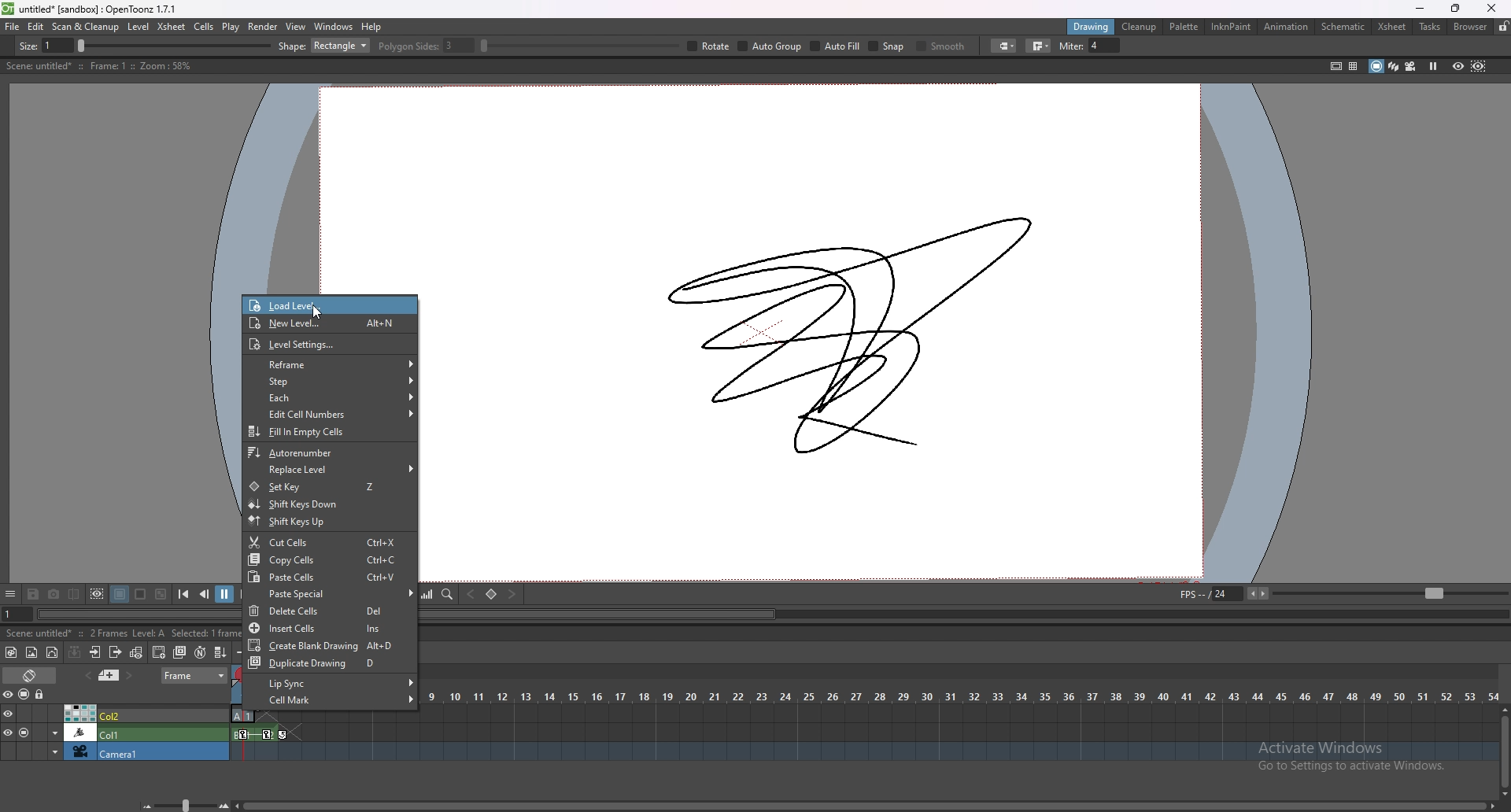 The image size is (1511, 812). What do you see at coordinates (31, 674) in the screenshot?
I see `toggle timeline` at bounding box center [31, 674].